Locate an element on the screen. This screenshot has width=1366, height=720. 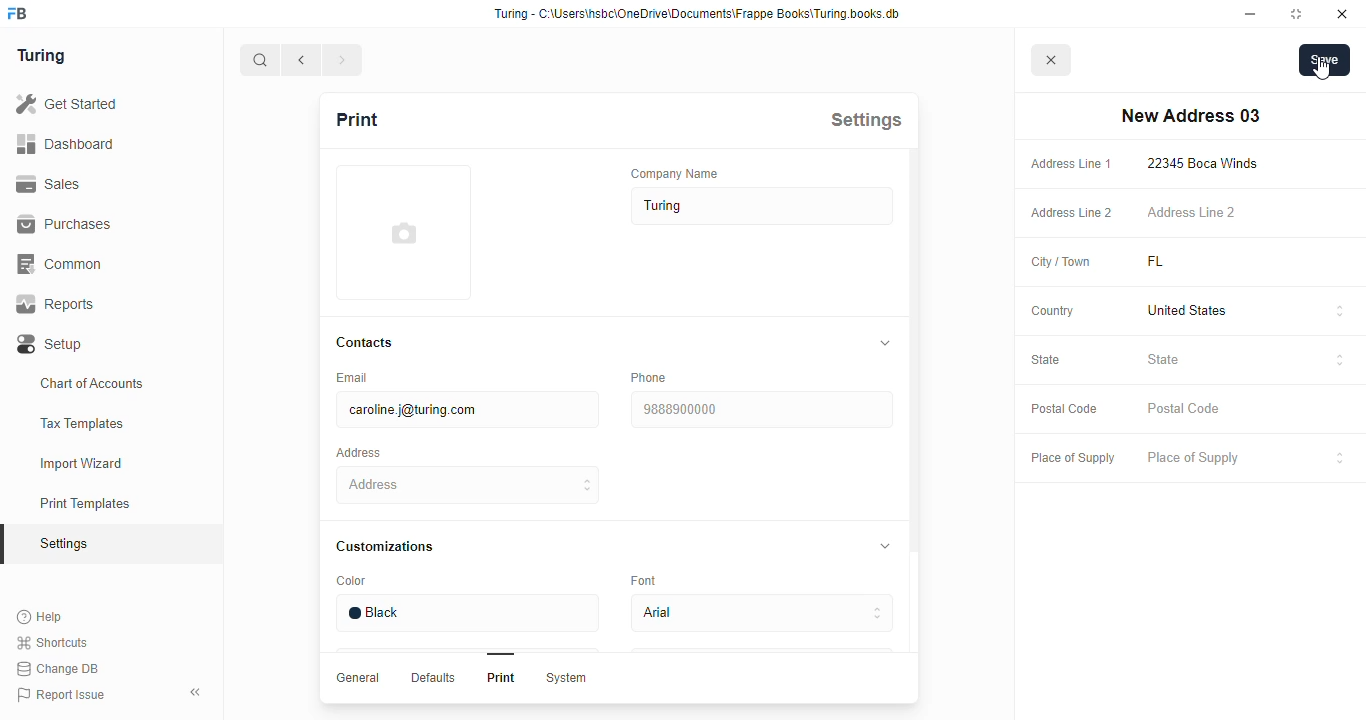
Turing - C:\Users\hshc\OneDrive\Documents\Frappe Books\Turing.books.db is located at coordinates (699, 14).